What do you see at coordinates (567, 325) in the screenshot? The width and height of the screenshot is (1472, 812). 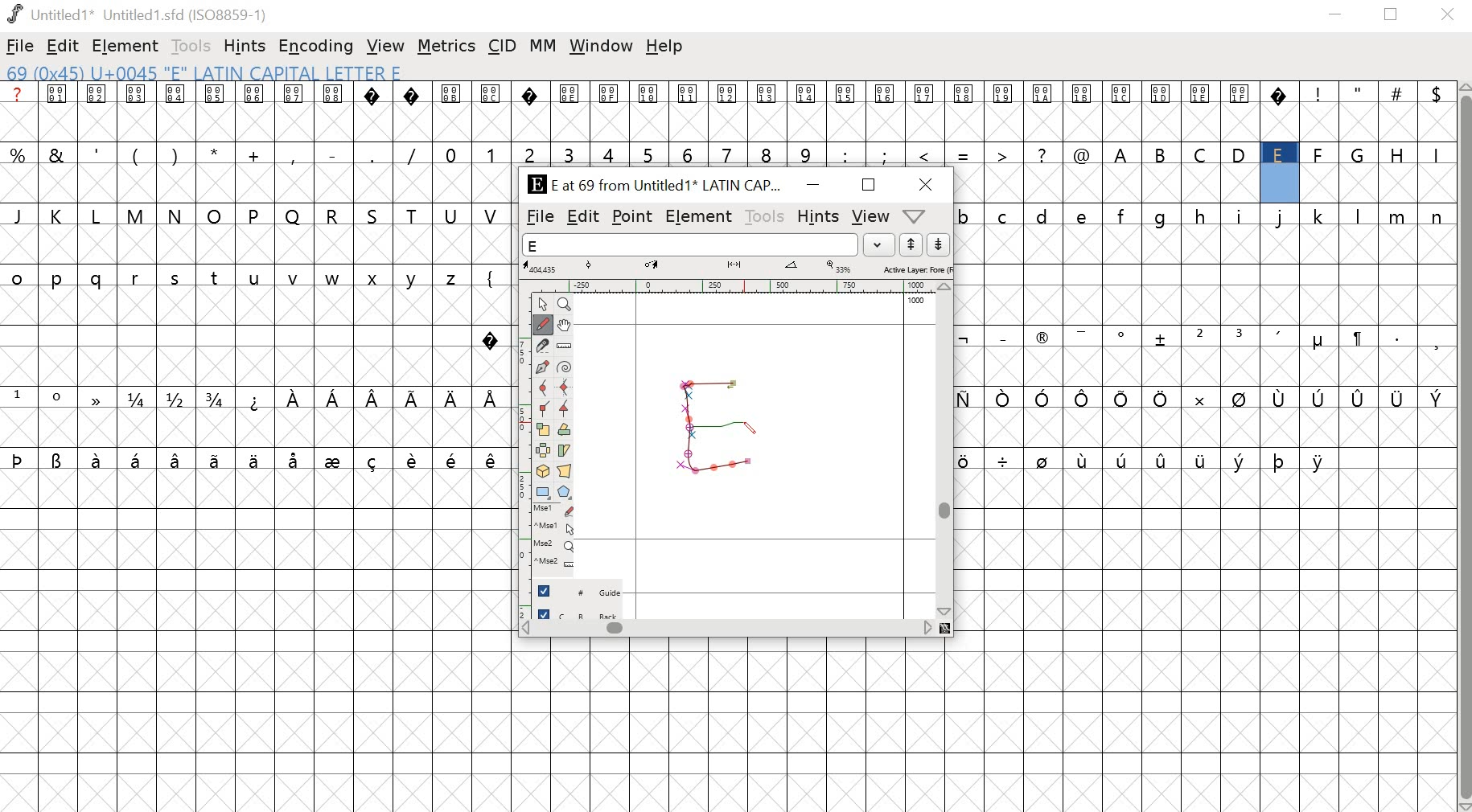 I see `Pan` at bounding box center [567, 325].